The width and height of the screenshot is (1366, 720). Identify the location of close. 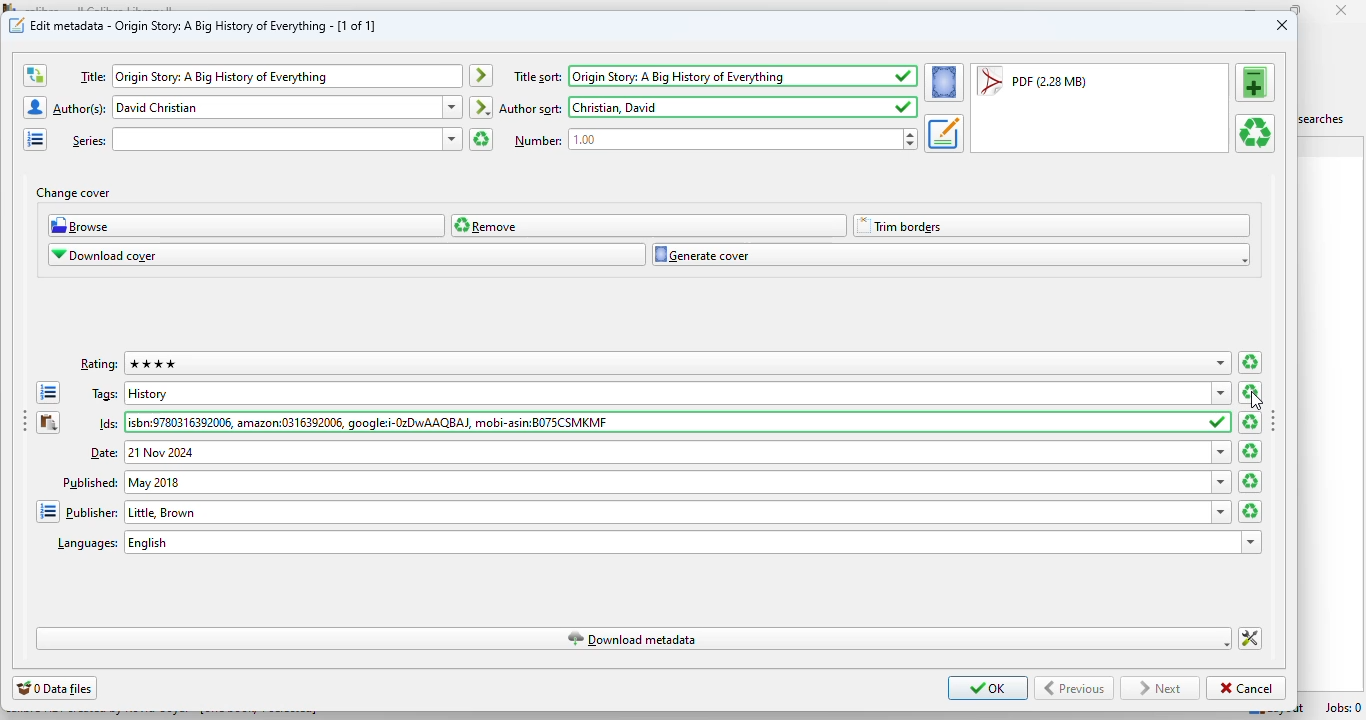
(1341, 9).